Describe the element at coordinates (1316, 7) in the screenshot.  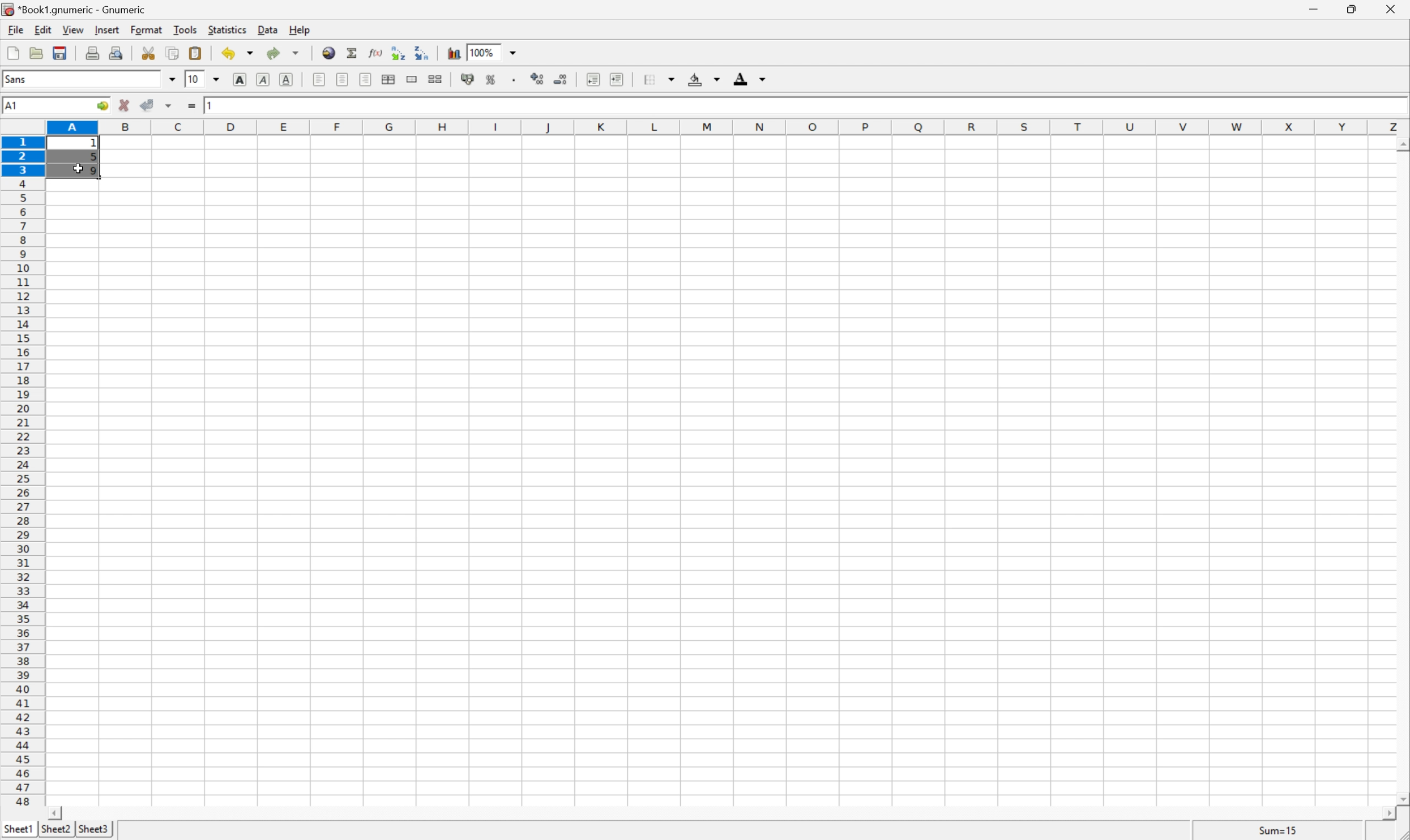
I see `minimize` at that location.